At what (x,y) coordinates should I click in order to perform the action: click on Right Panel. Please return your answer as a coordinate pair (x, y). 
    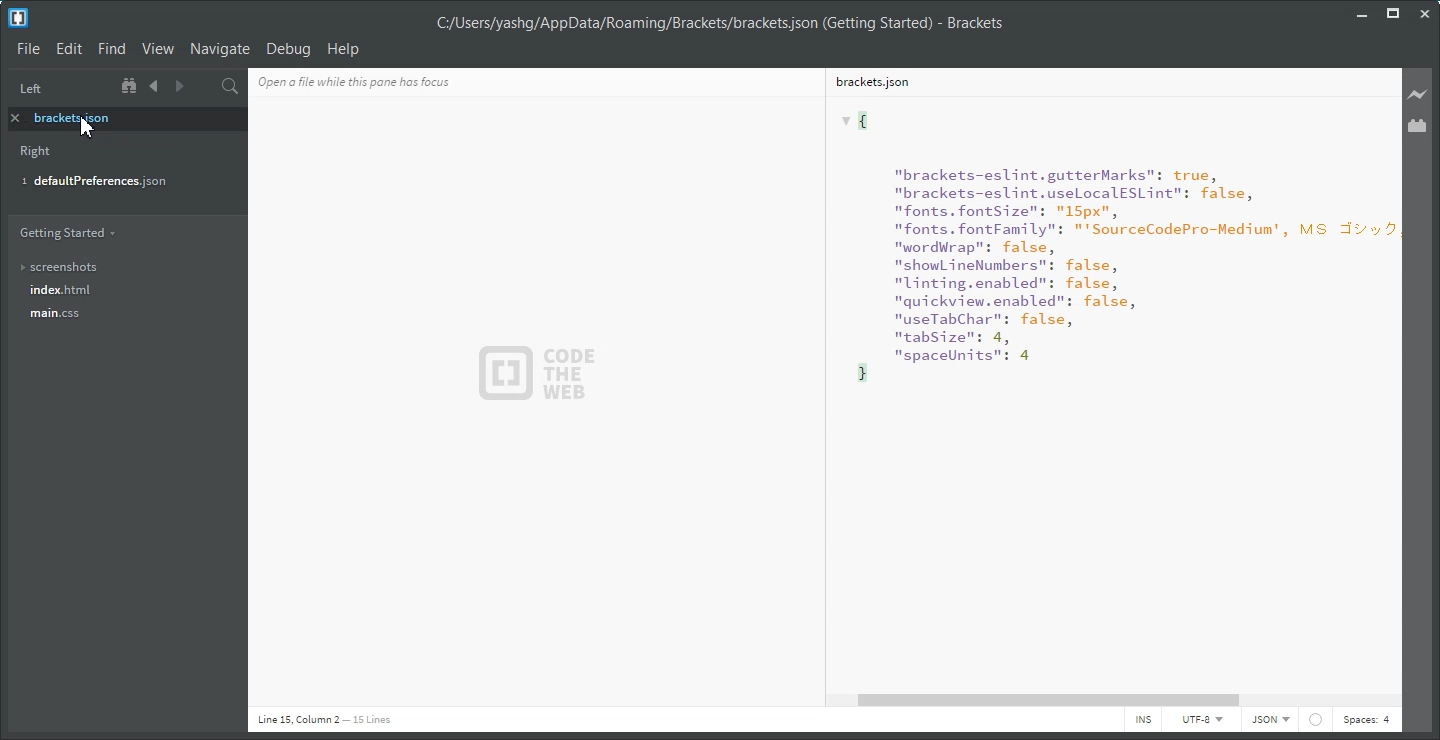
    Looking at the image, I should click on (37, 153).